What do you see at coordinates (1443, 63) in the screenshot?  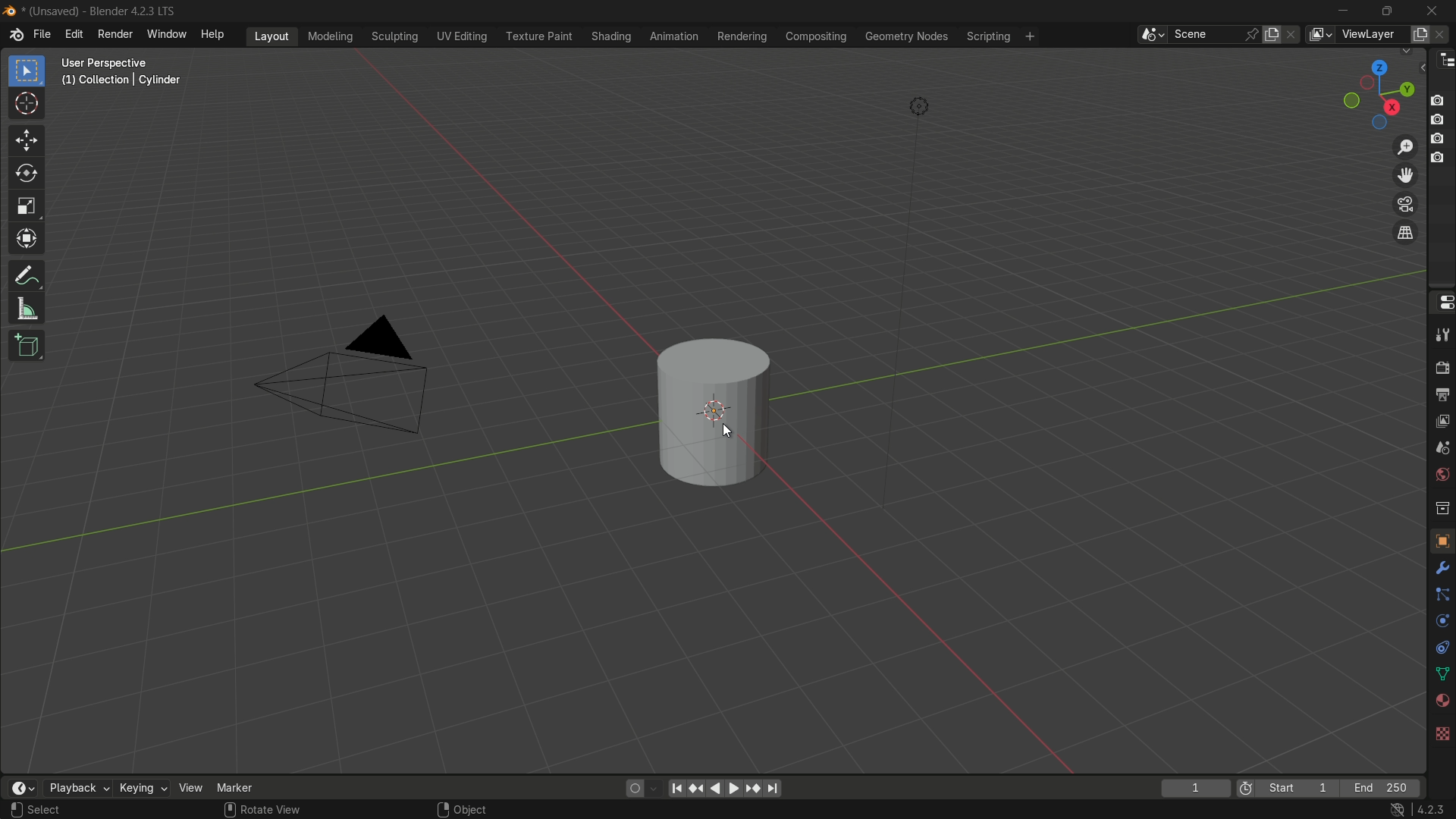 I see `outliner` at bounding box center [1443, 63].